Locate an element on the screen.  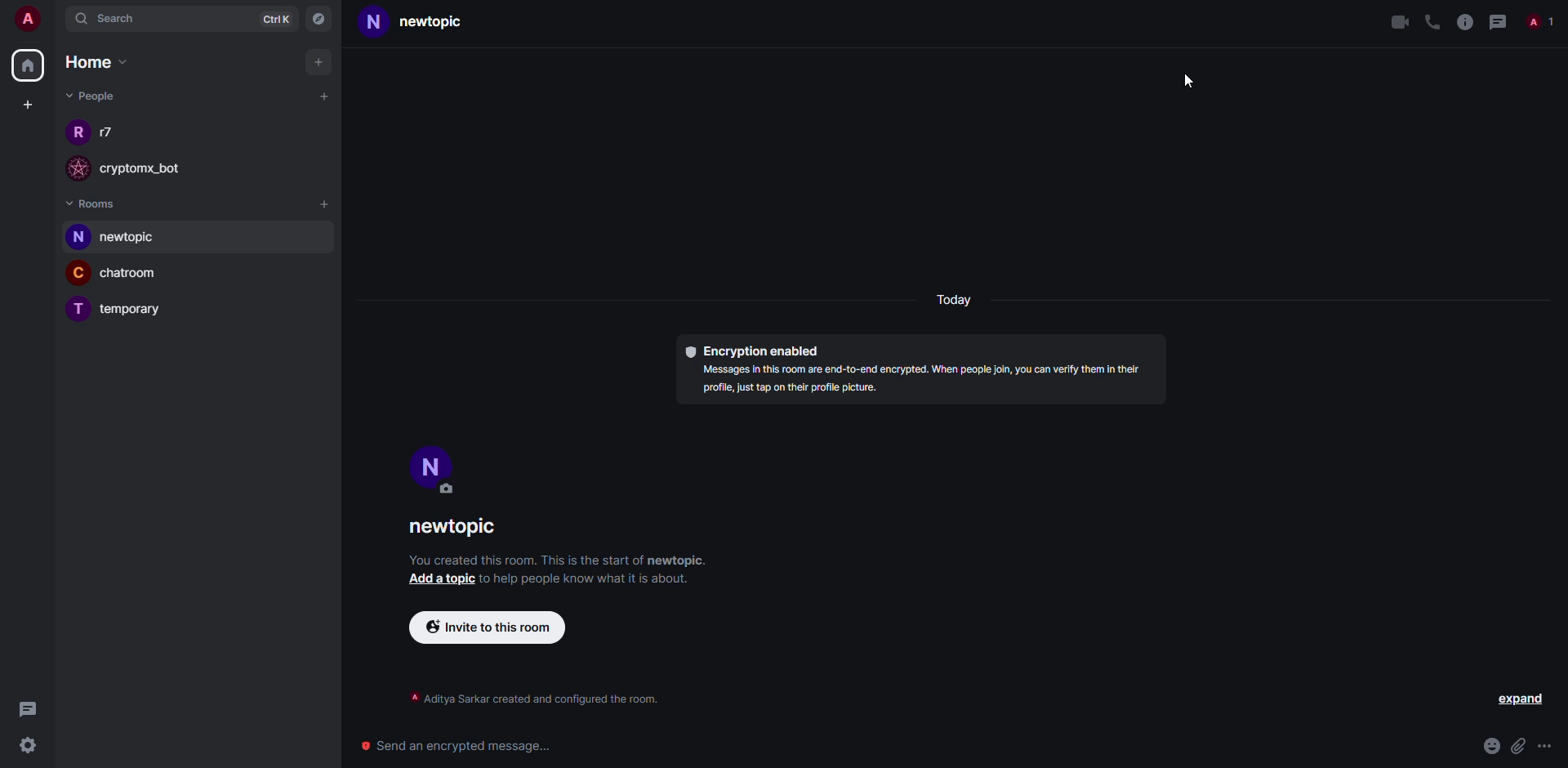
add is located at coordinates (326, 205).